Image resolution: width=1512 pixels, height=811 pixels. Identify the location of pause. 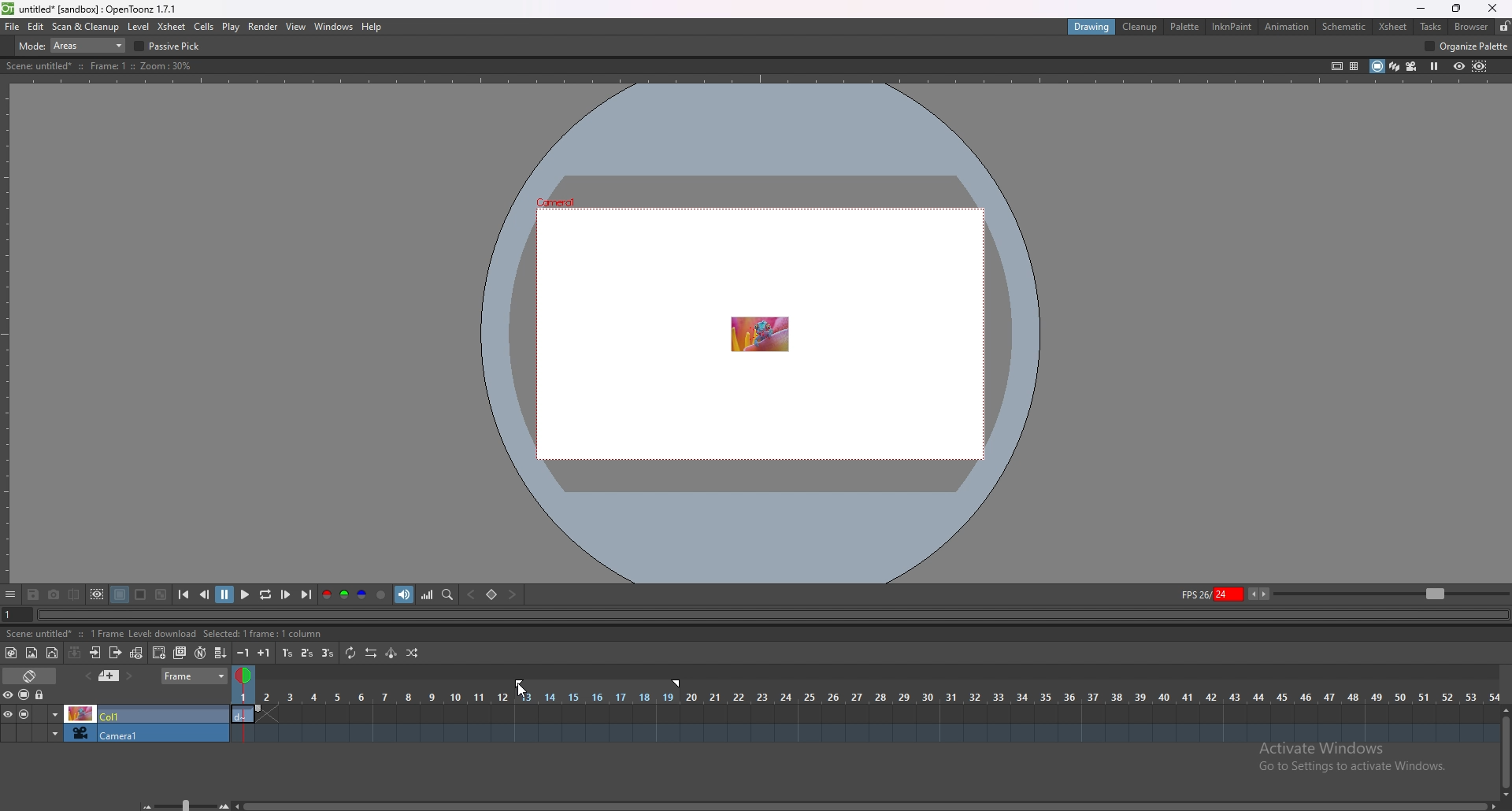
(226, 593).